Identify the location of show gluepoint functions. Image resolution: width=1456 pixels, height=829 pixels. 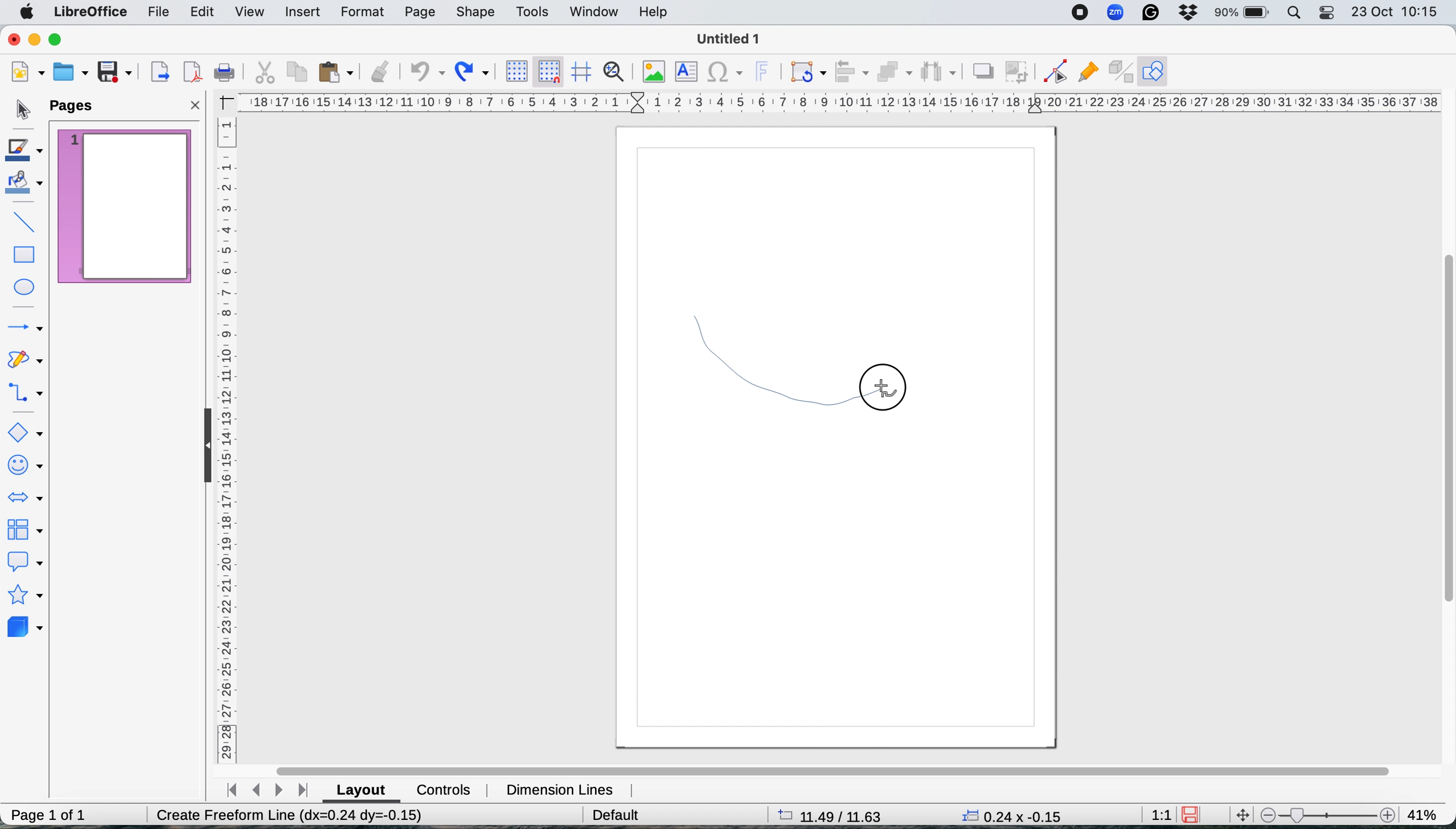
(1088, 71).